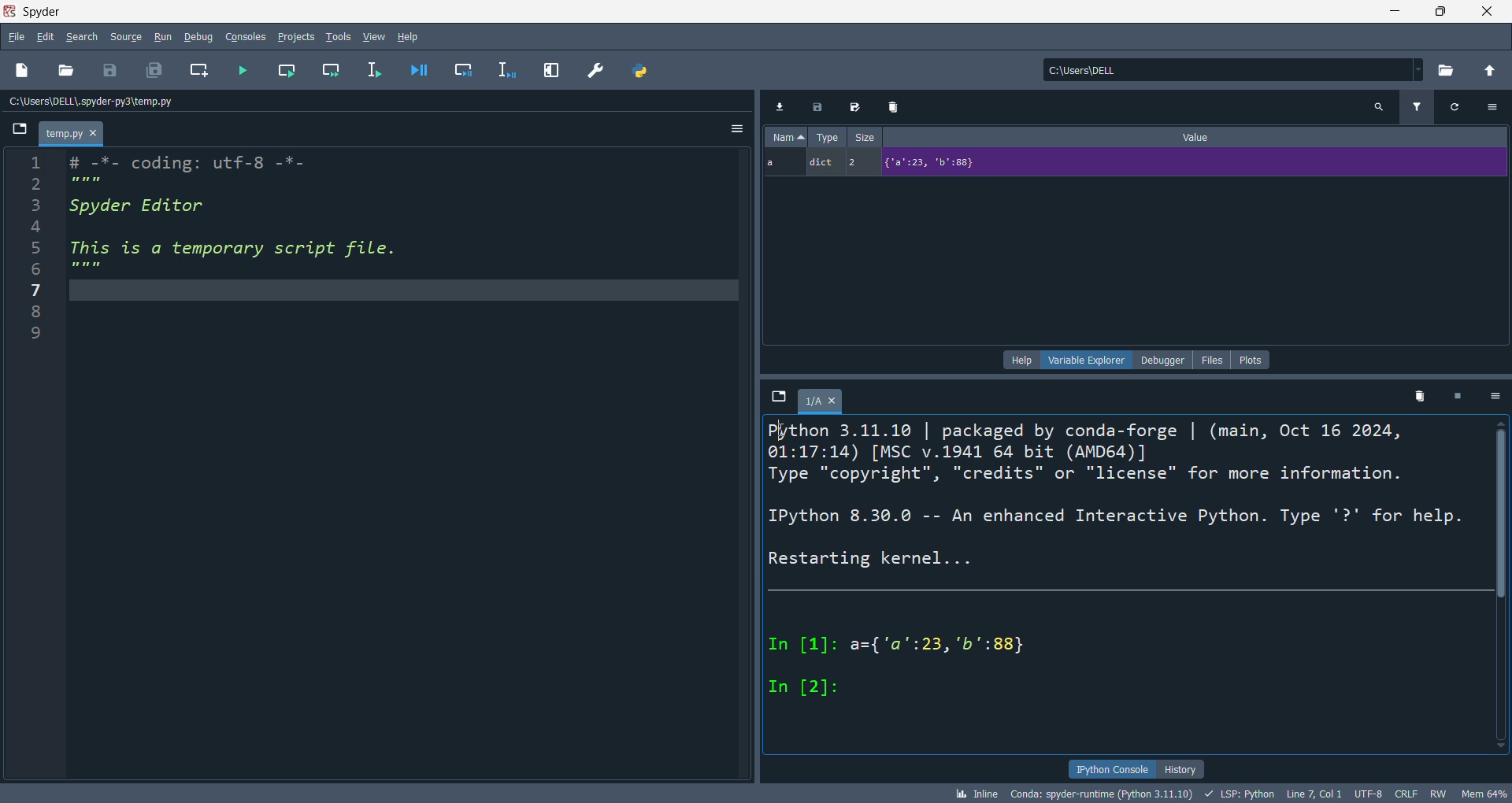 This screenshot has width=1512, height=803. Describe the element at coordinates (826, 136) in the screenshot. I see `type` at that location.